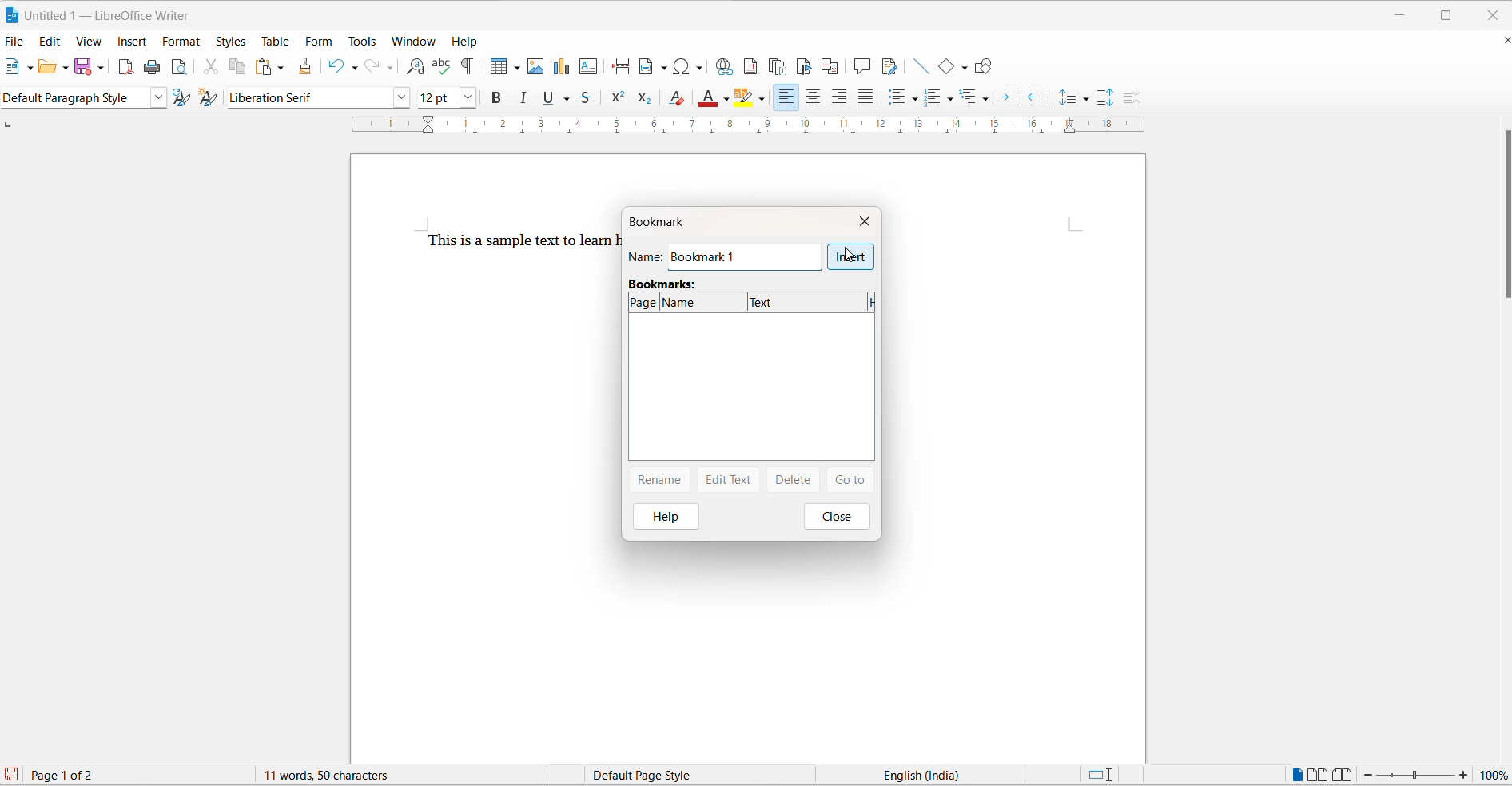 This screenshot has height=786, width=1512. I want to click on delete, so click(790, 481).